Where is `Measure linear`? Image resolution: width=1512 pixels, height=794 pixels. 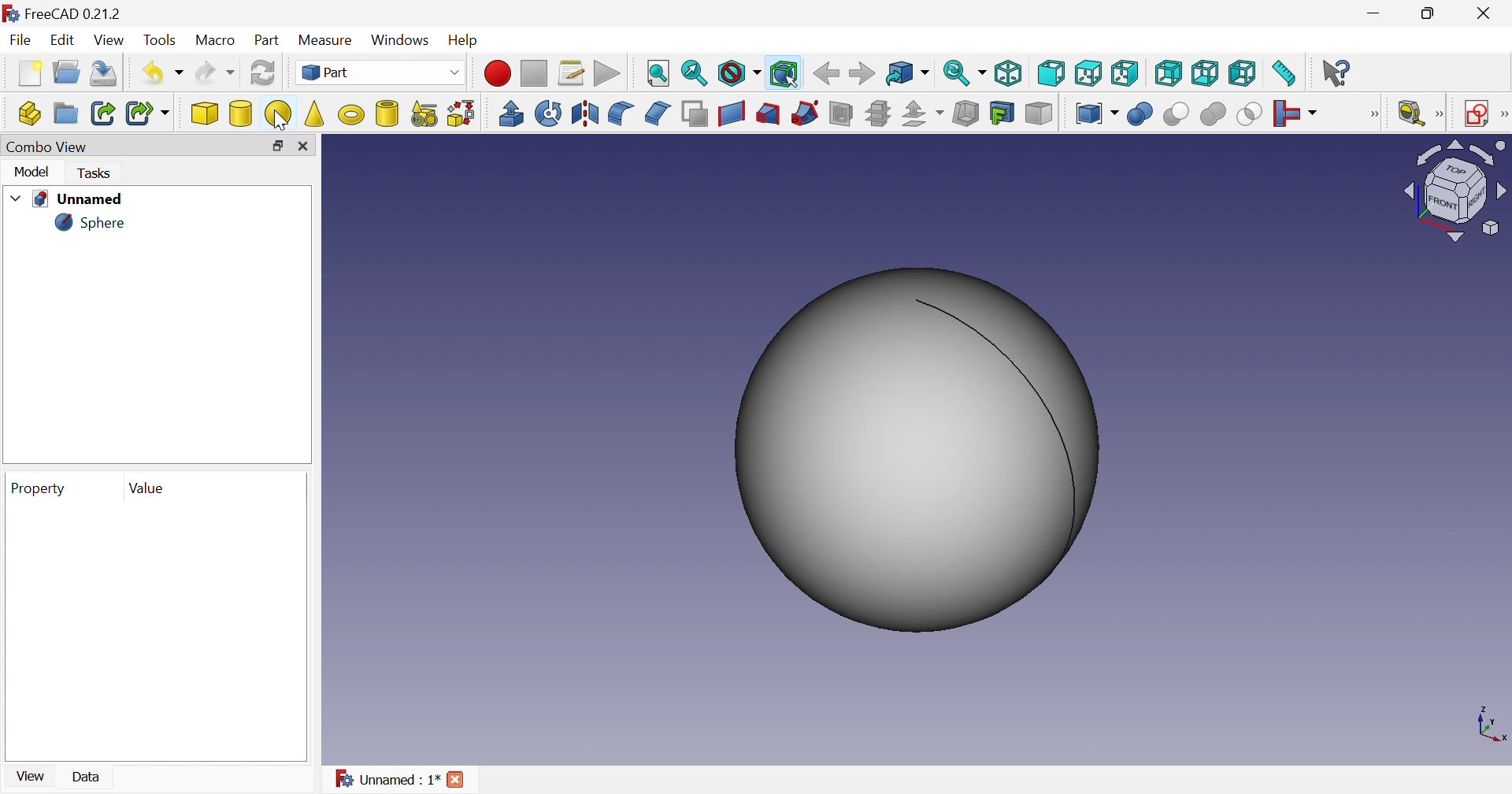 Measure linear is located at coordinates (1420, 111).